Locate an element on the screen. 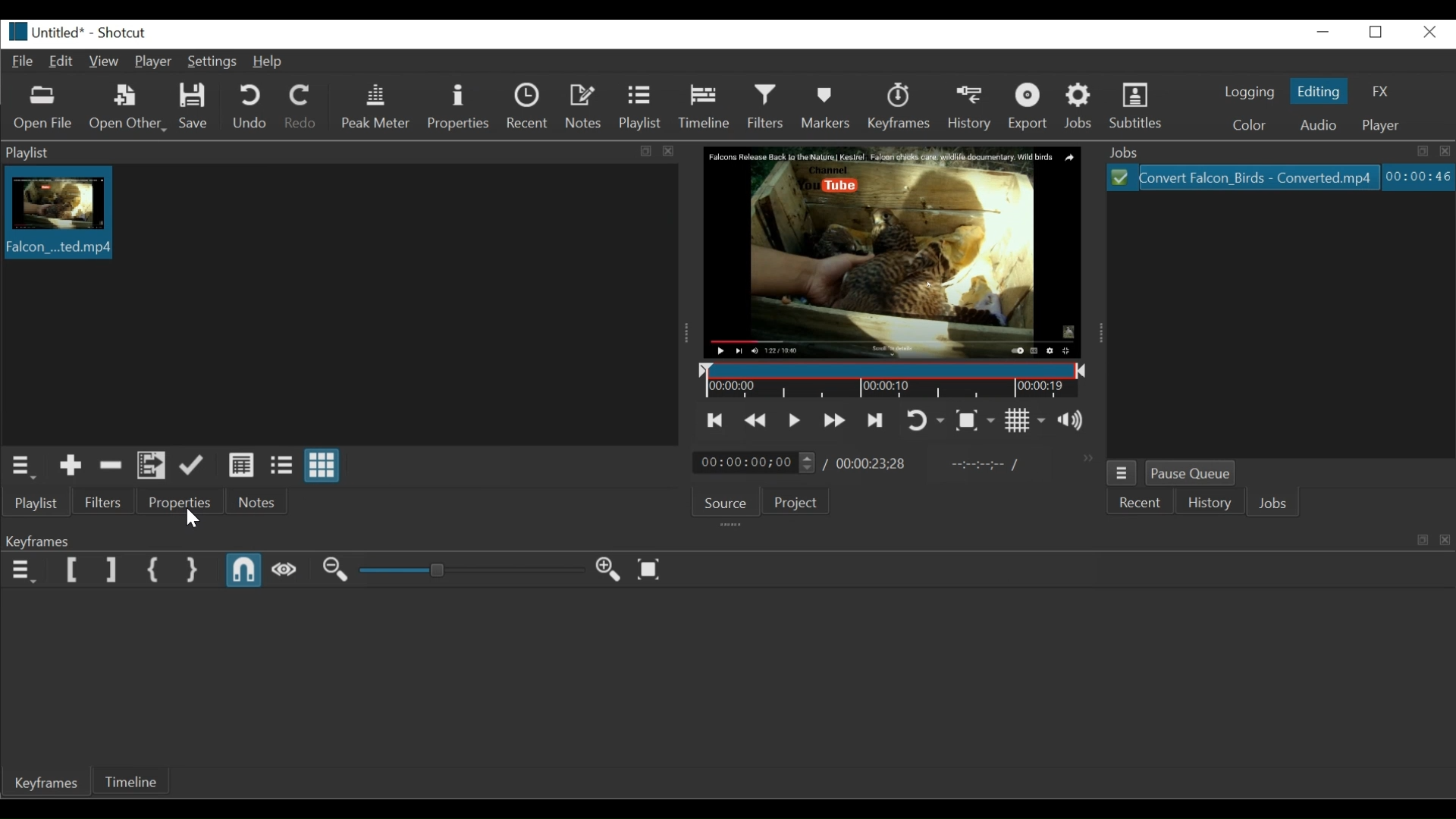  Jobs is located at coordinates (1273, 504).